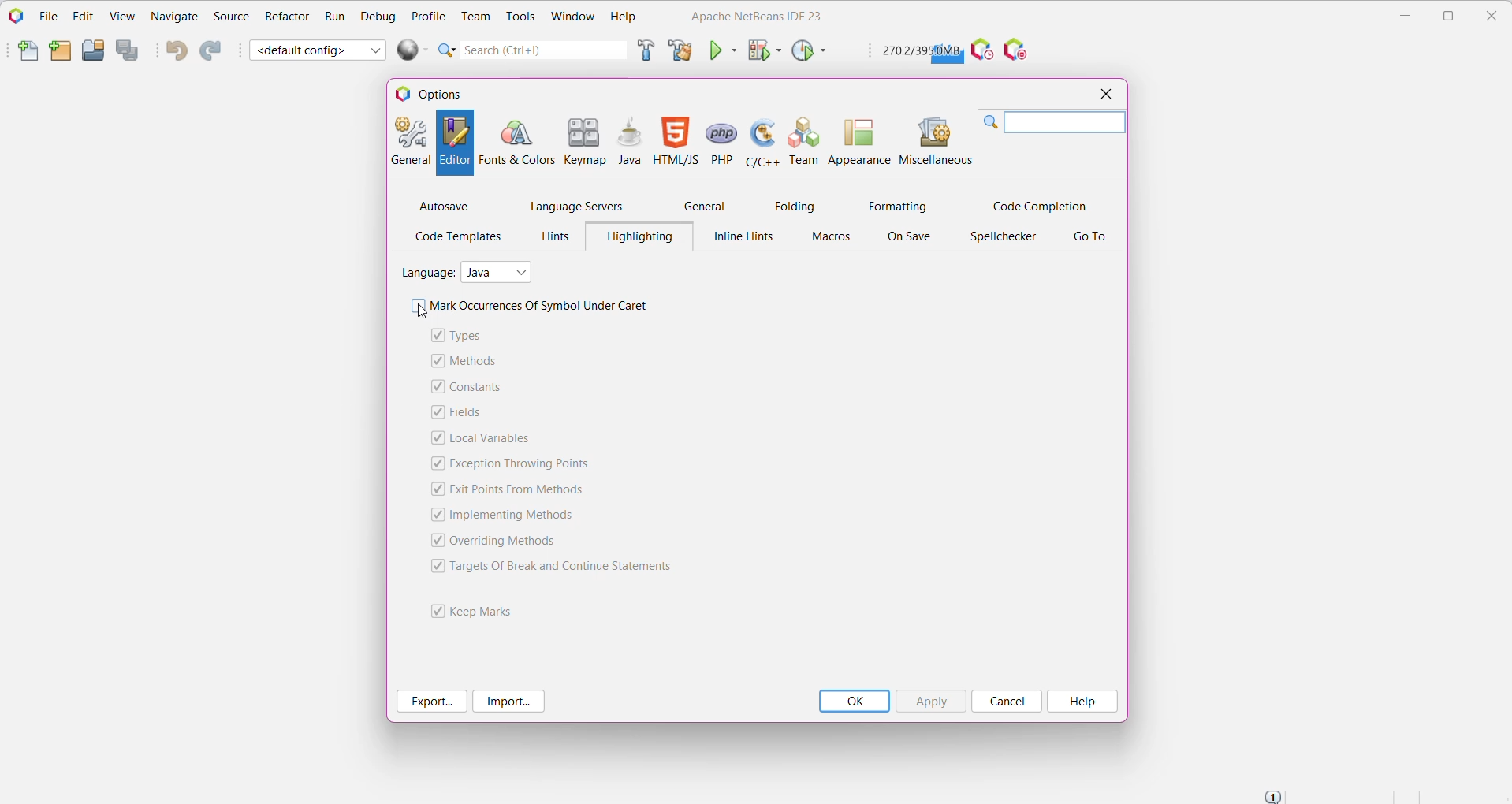  Describe the element at coordinates (1401, 16) in the screenshot. I see `Minimize` at that location.